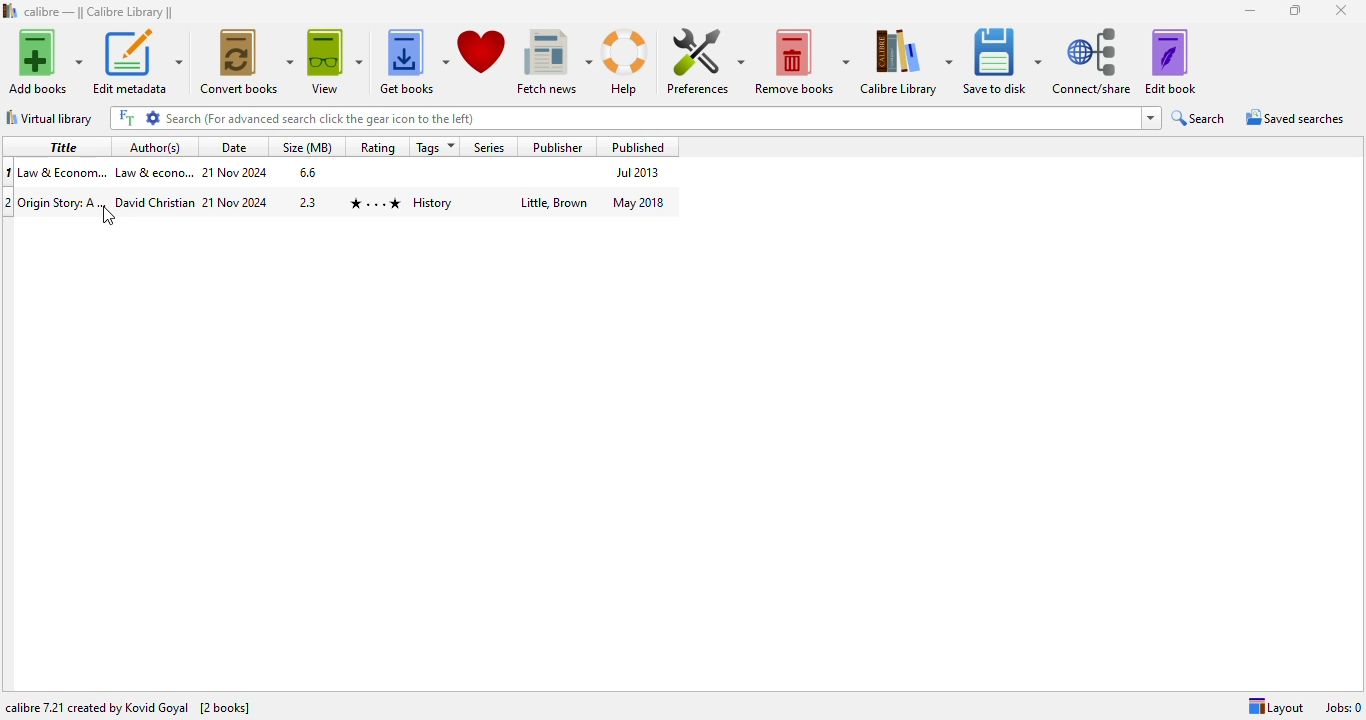 This screenshot has height=720, width=1366. Describe the element at coordinates (377, 147) in the screenshot. I see `rating` at that location.